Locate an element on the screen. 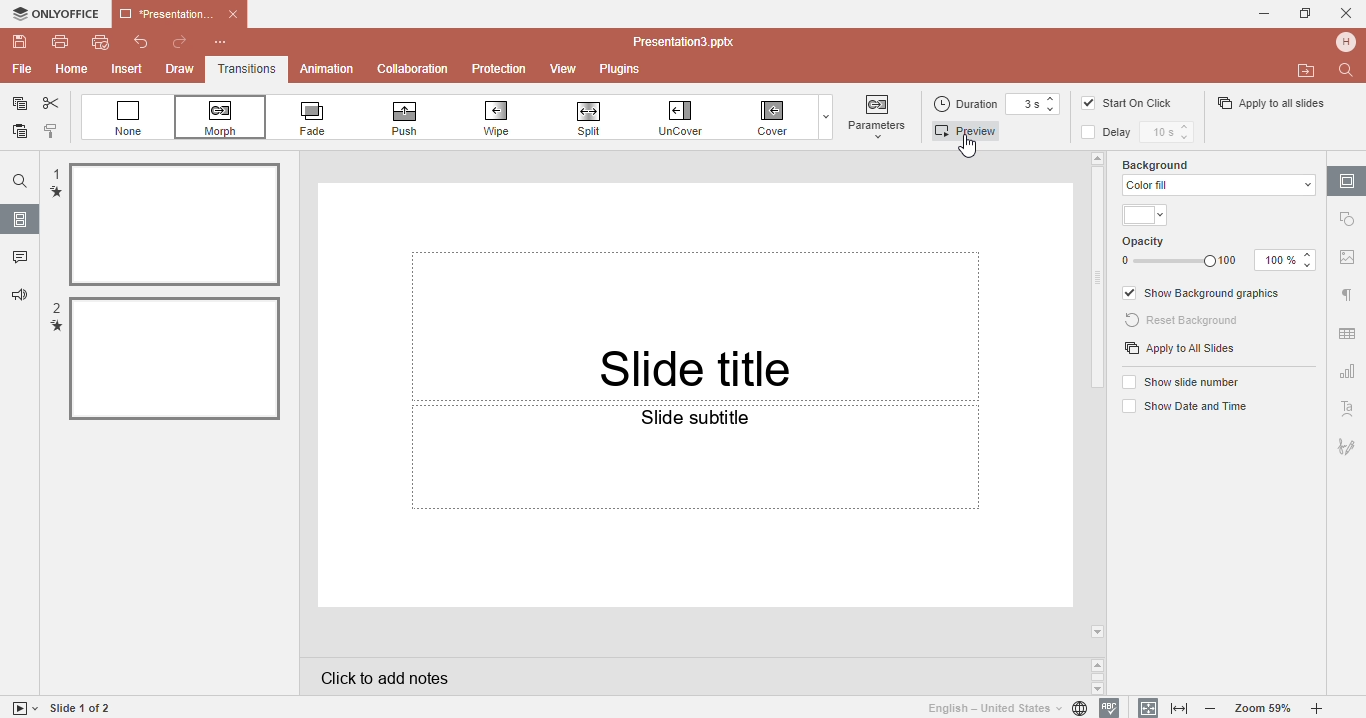 The image size is (1366, 718). Start slide show is located at coordinates (21, 708).